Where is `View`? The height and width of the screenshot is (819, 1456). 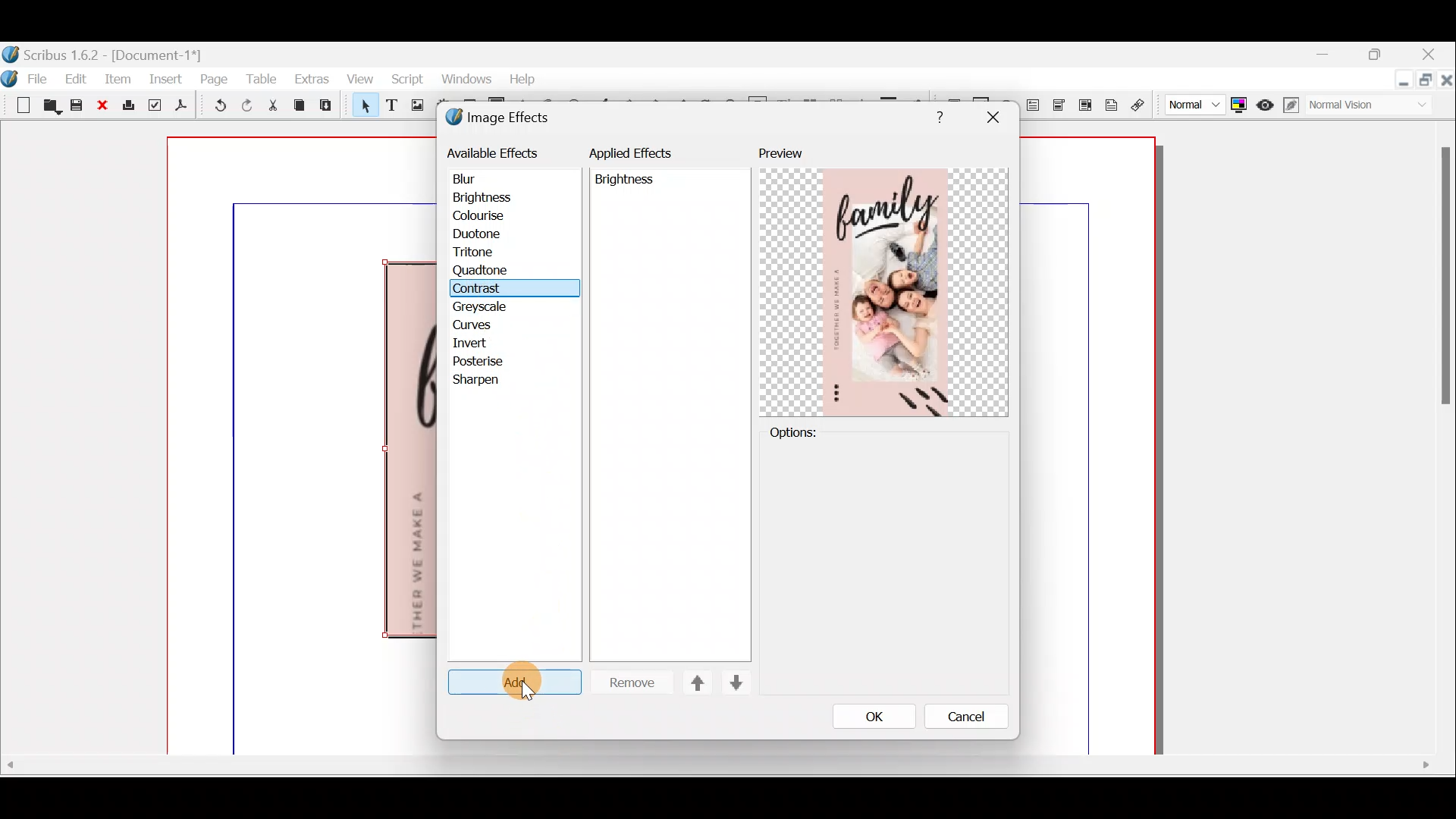 View is located at coordinates (358, 80).